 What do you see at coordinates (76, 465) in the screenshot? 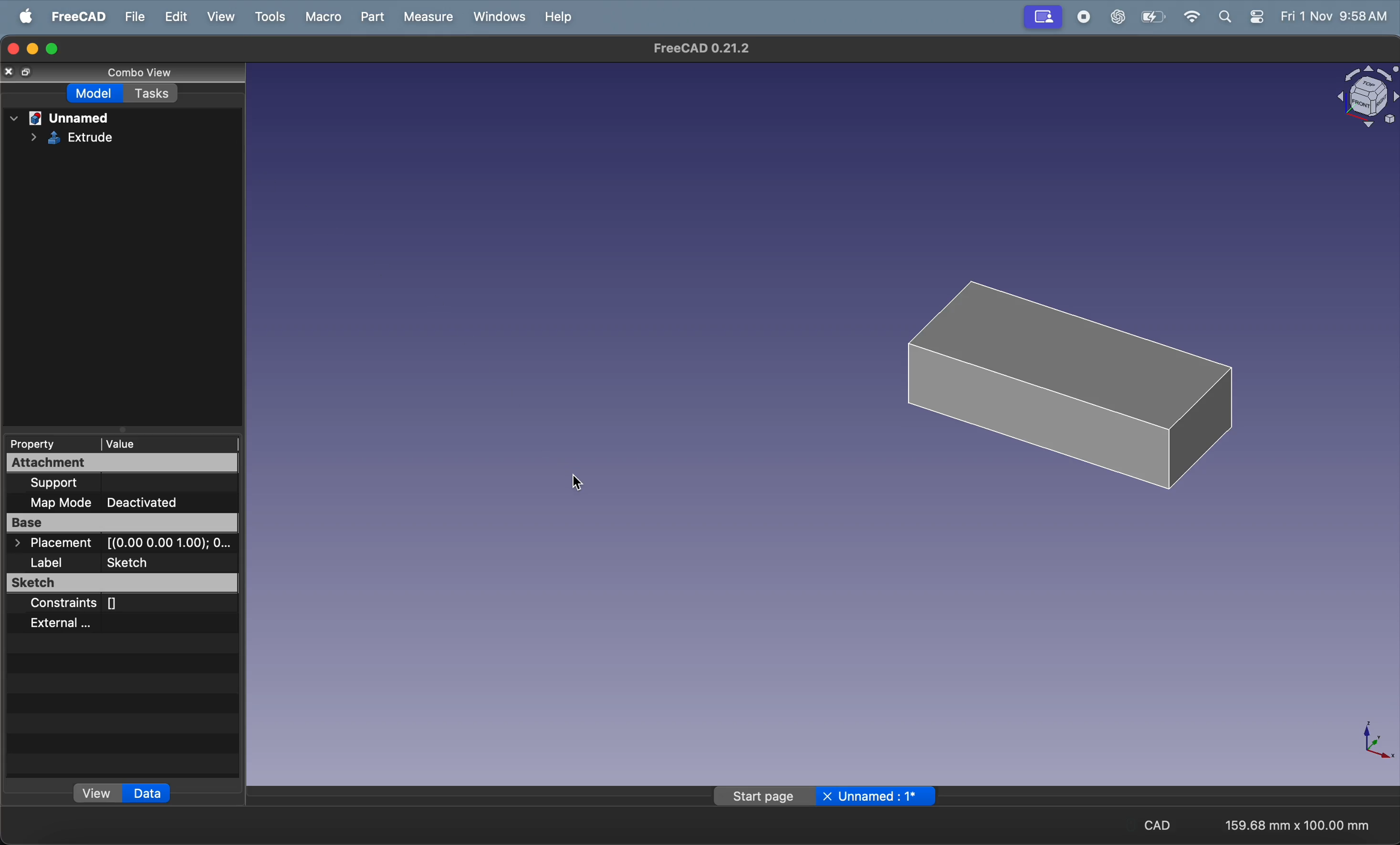
I see `attachment` at bounding box center [76, 465].